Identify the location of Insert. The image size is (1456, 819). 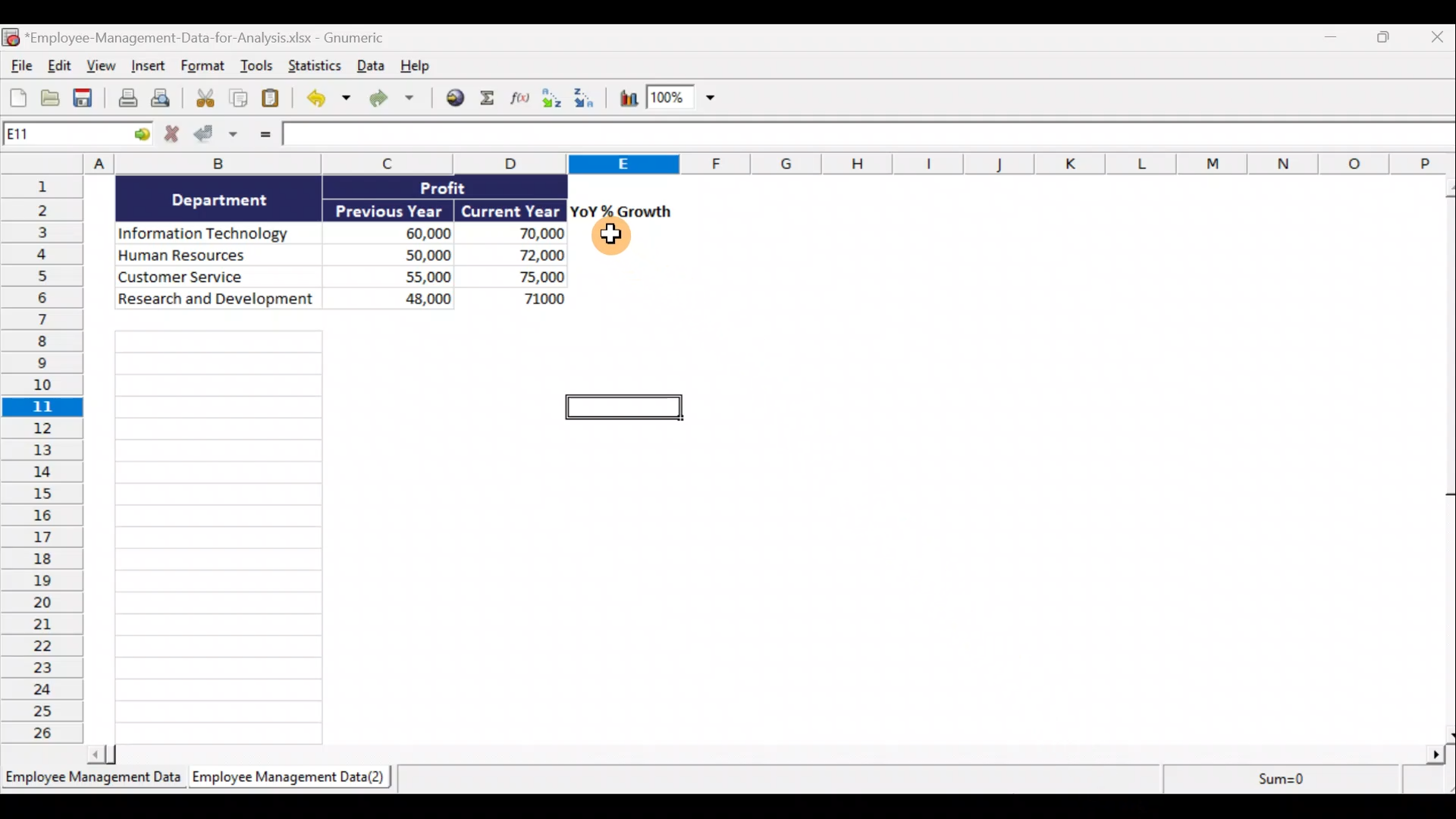
(146, 67).